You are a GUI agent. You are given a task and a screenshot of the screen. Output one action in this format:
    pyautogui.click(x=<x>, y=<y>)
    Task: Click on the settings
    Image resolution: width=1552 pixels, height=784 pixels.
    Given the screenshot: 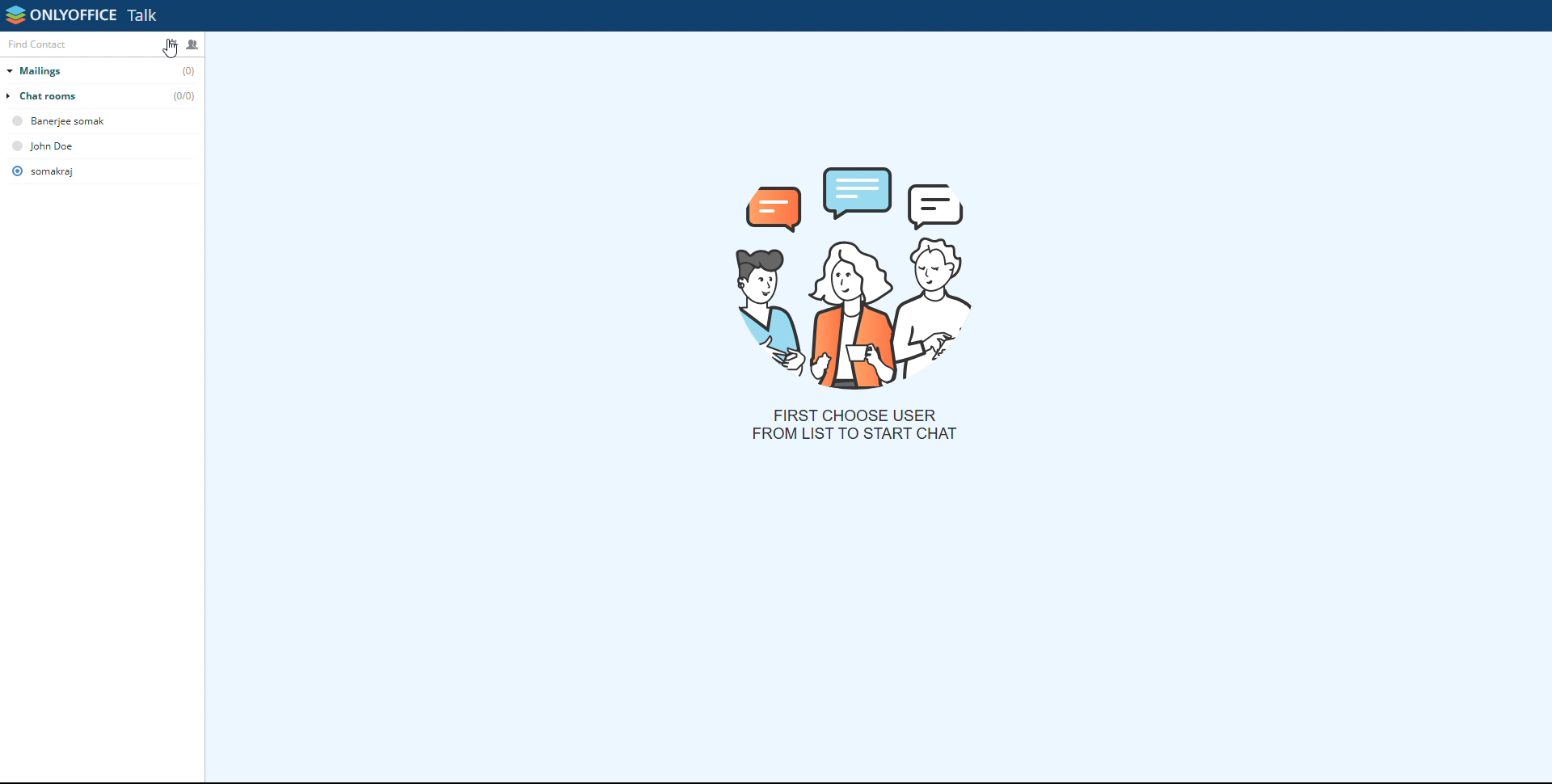 What is the action you would take?
    pyautogui.click(x=171, y=44)
    